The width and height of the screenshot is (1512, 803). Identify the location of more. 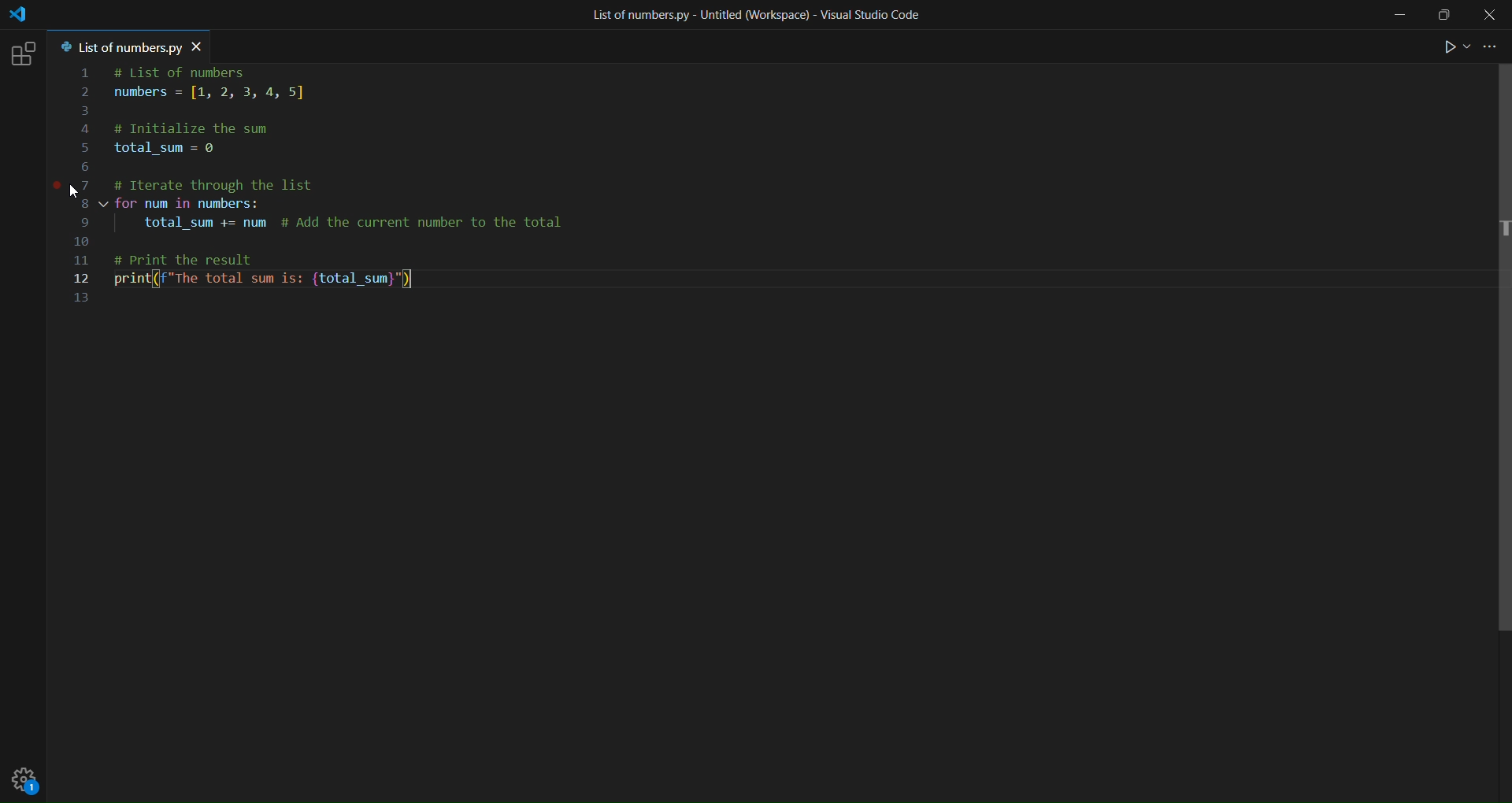
(1490, 48).